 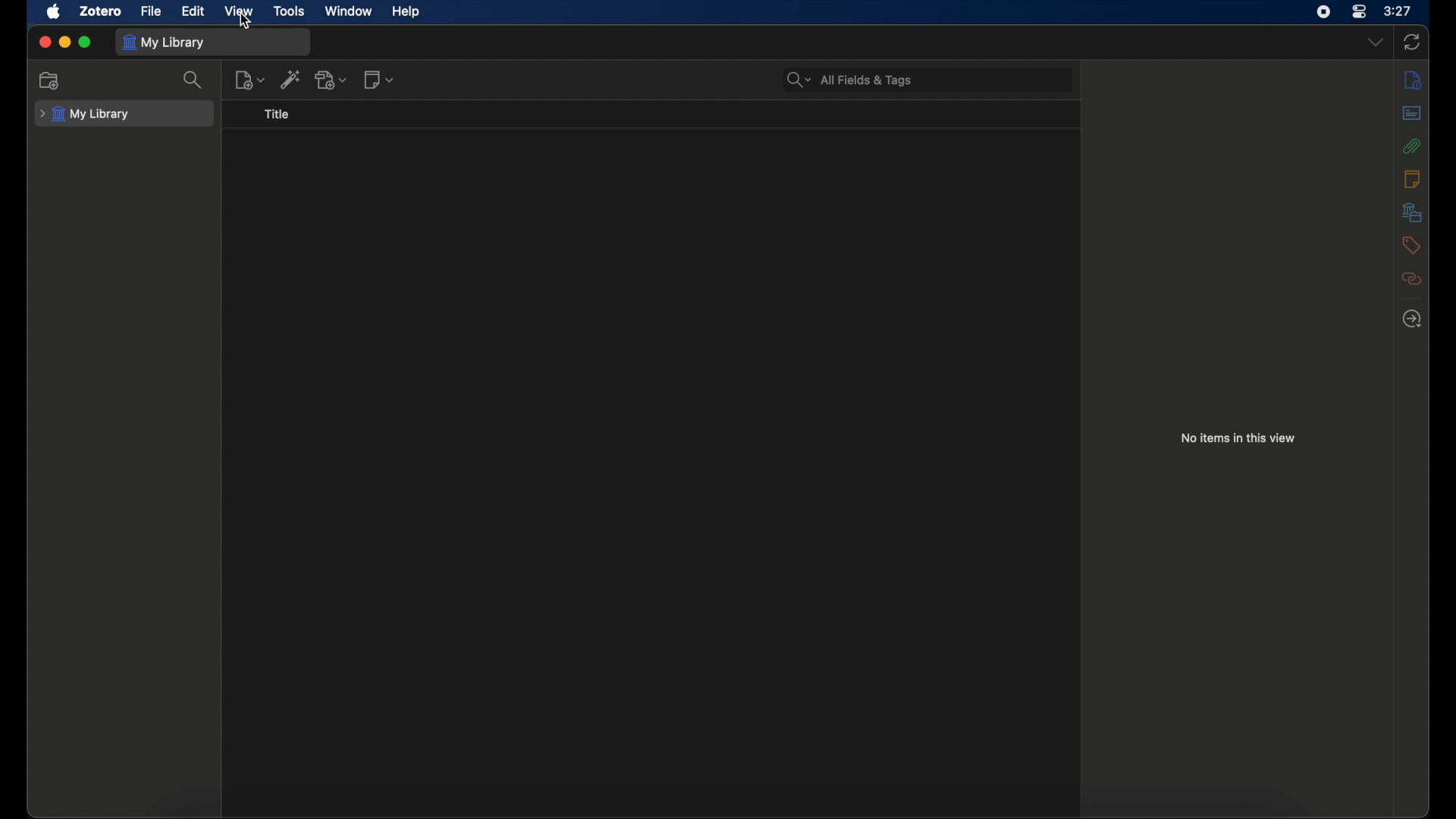 I want to click on my library, so click(x=167, y=42).